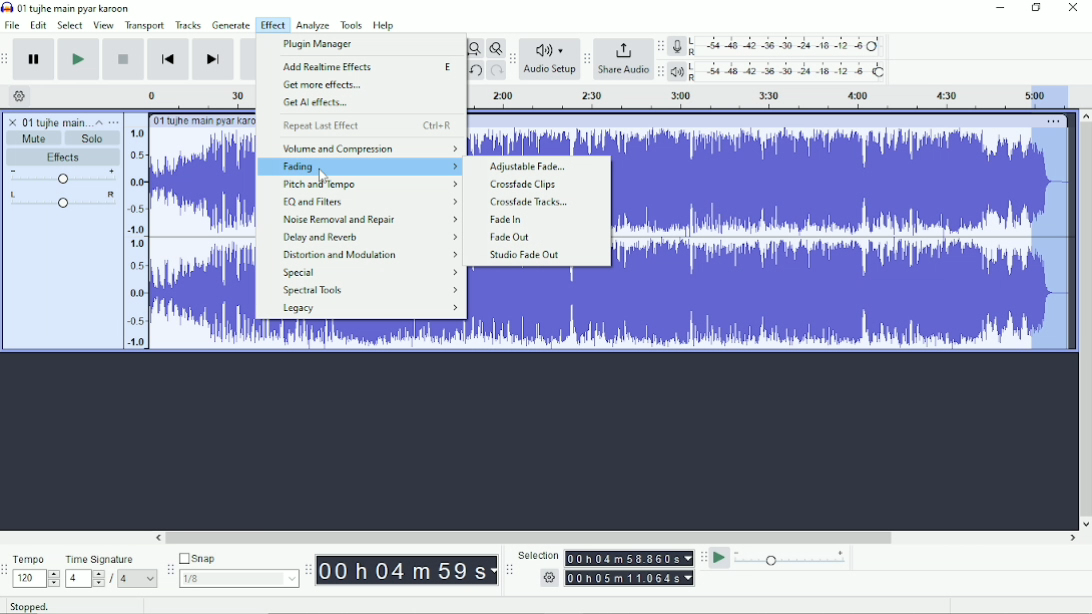 This screenshot has height=614, width=1092. I want to click on Close, so click(1074, 7).